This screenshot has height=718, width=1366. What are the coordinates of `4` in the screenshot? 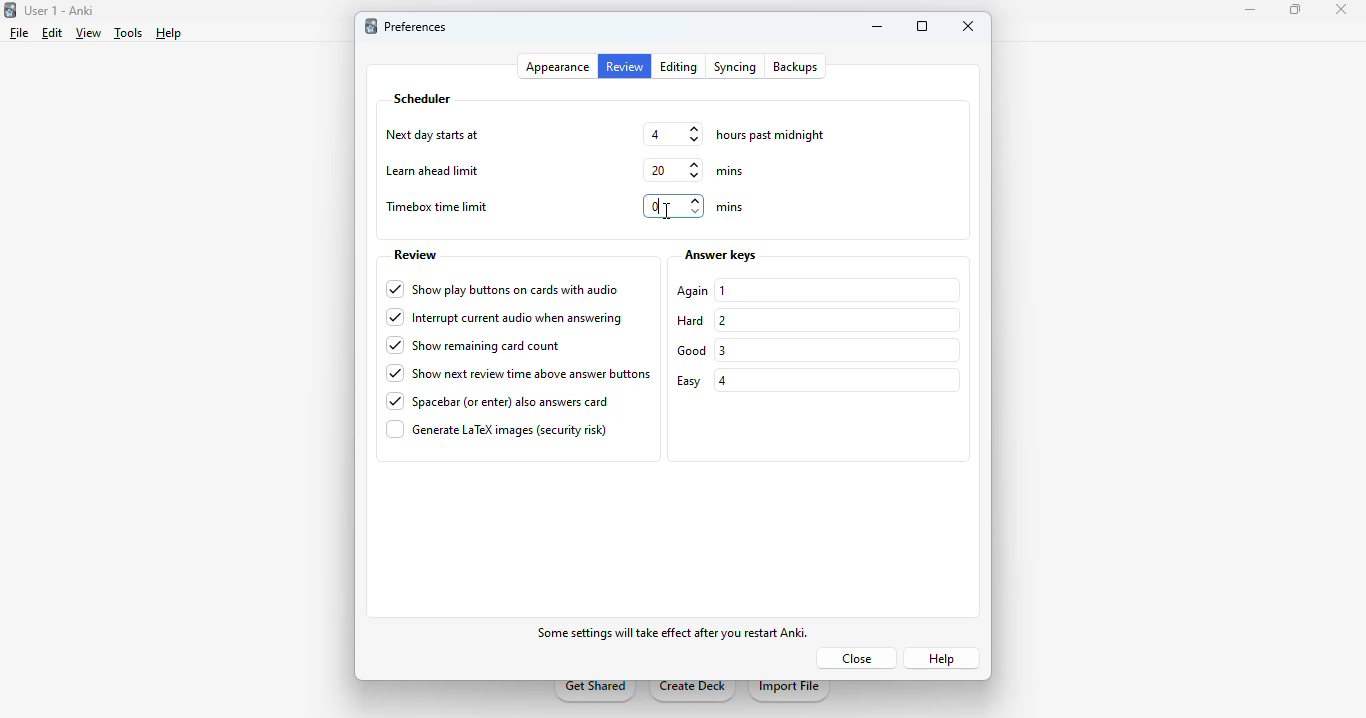 It's located at (721, 381).